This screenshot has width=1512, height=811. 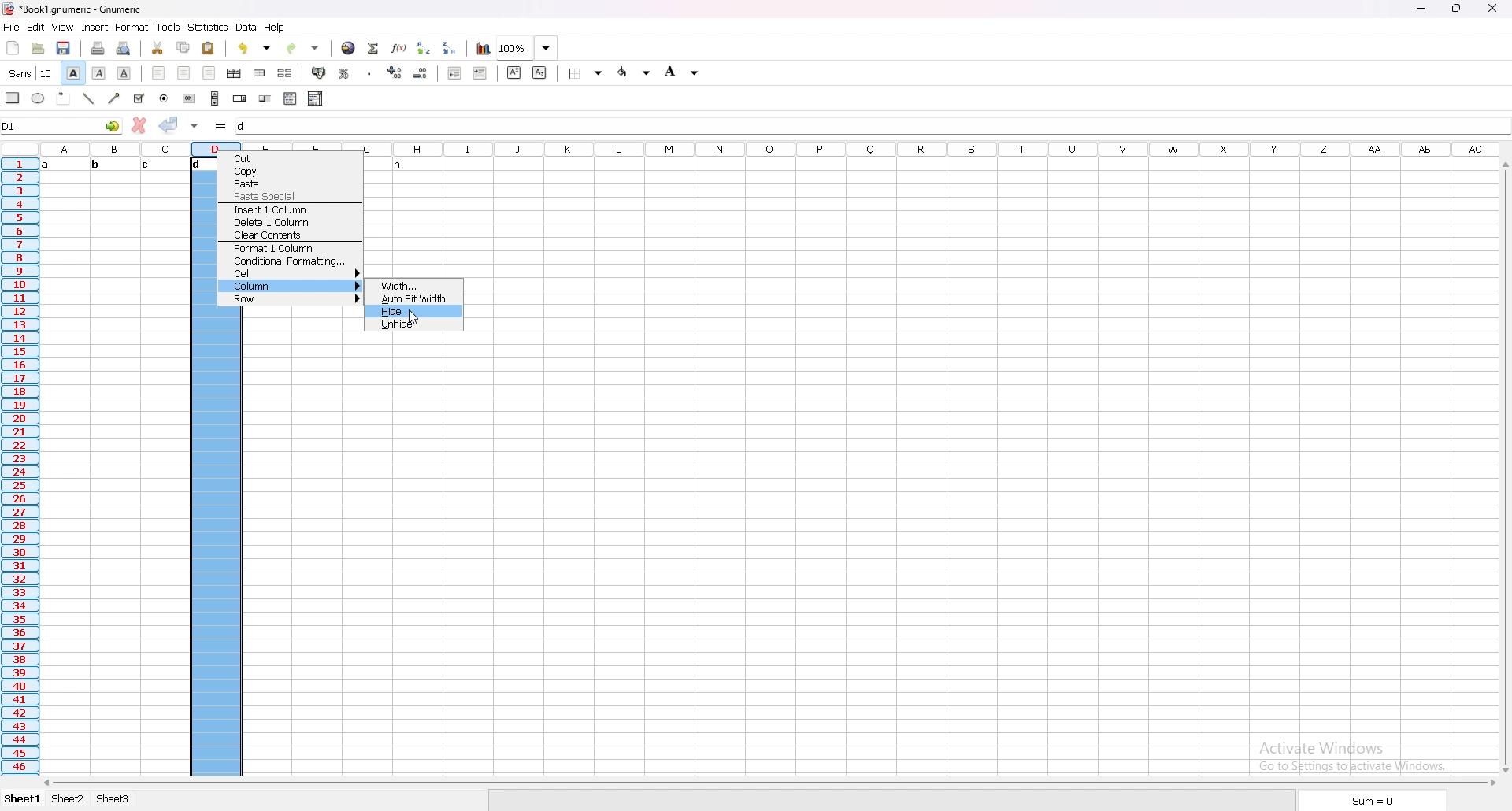 What do you see at coordinates (684, 72) in the screenshot?
I see `background` at bounding box center [684, 72].